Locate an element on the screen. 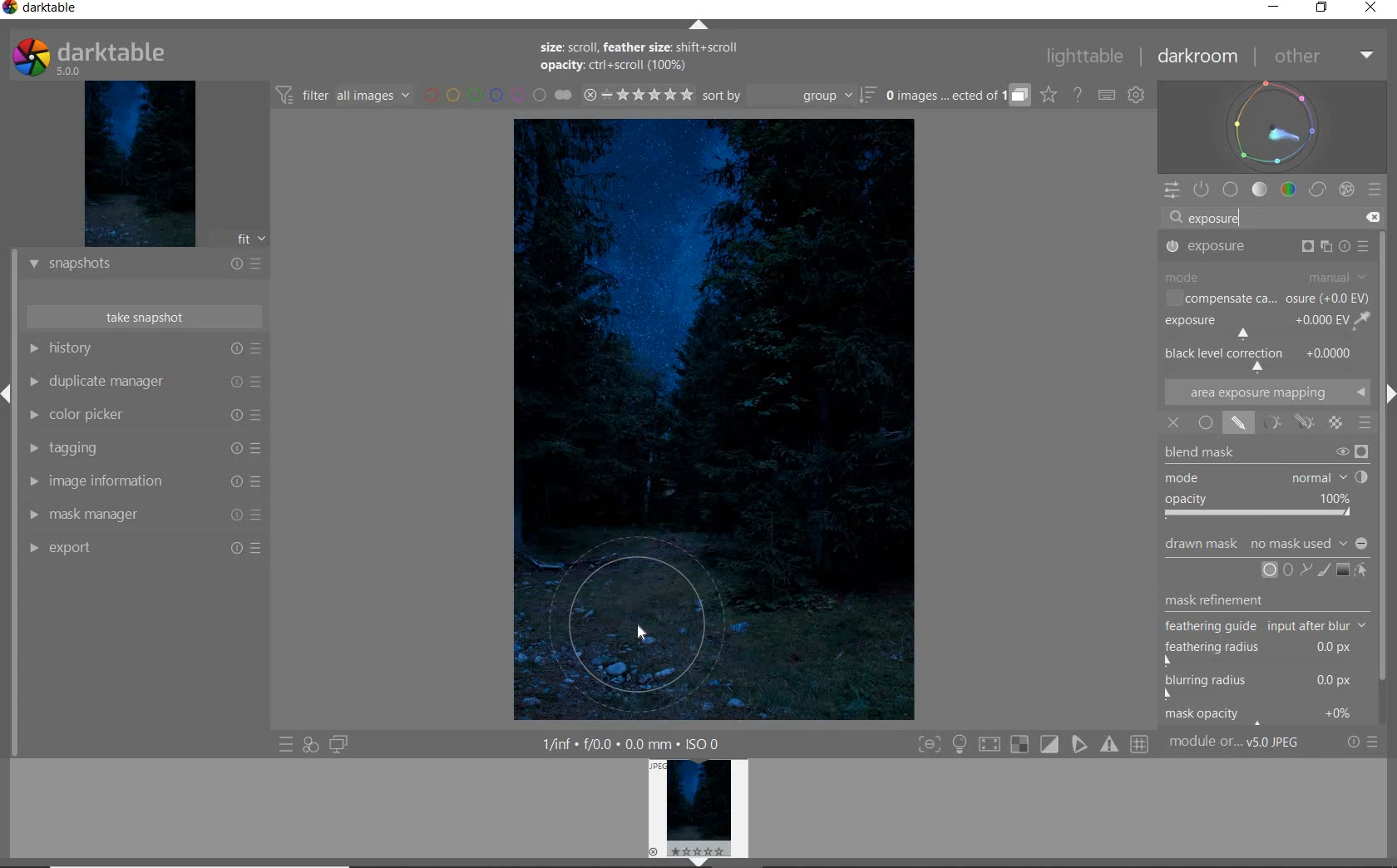 This screenshot has height=868, width=1397. MODULE...v5.0 JPEG is located at coordinates (1235, 744).